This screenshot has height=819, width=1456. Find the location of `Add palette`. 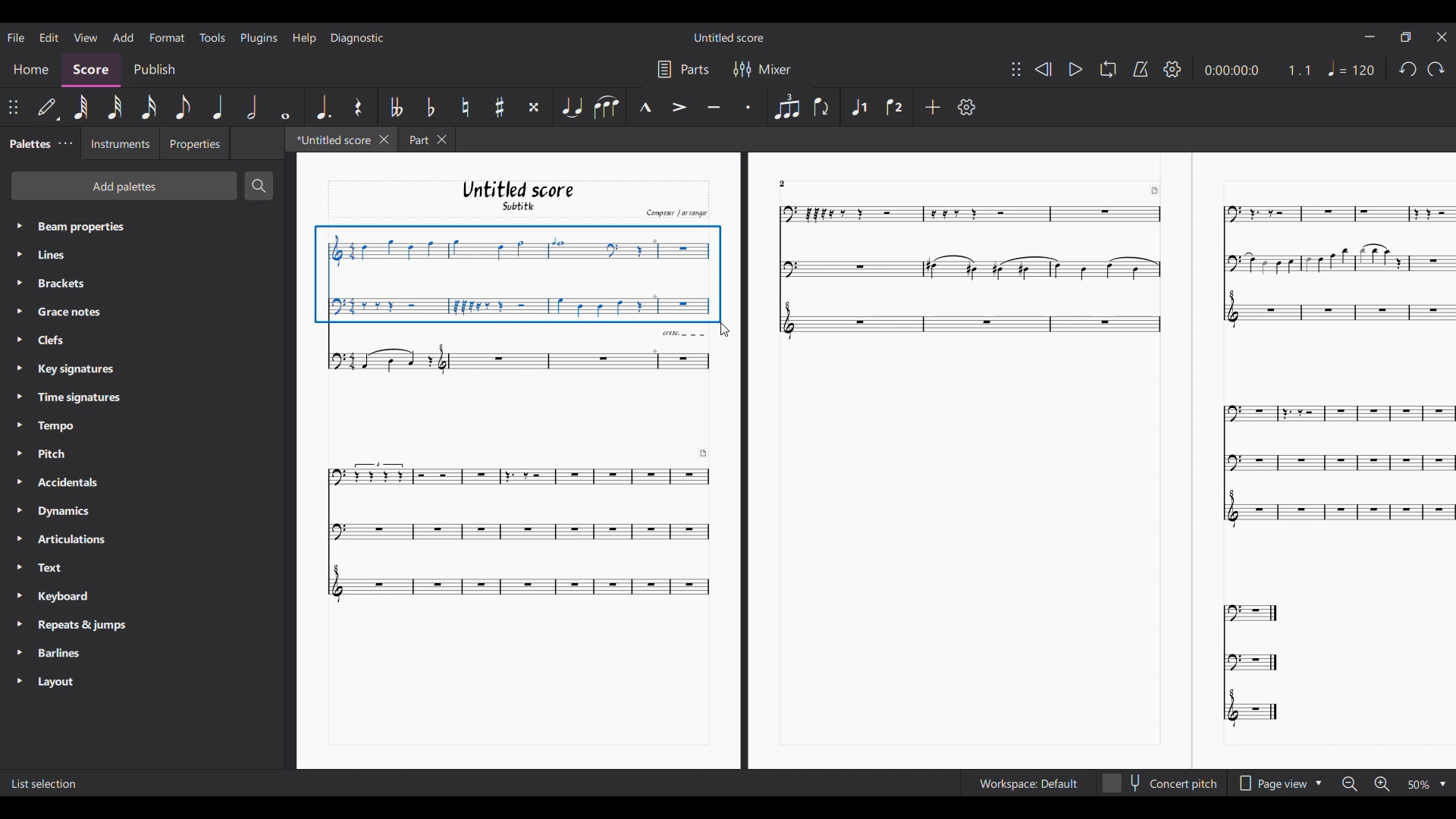

Add palette is located at coordinates (124, 185).